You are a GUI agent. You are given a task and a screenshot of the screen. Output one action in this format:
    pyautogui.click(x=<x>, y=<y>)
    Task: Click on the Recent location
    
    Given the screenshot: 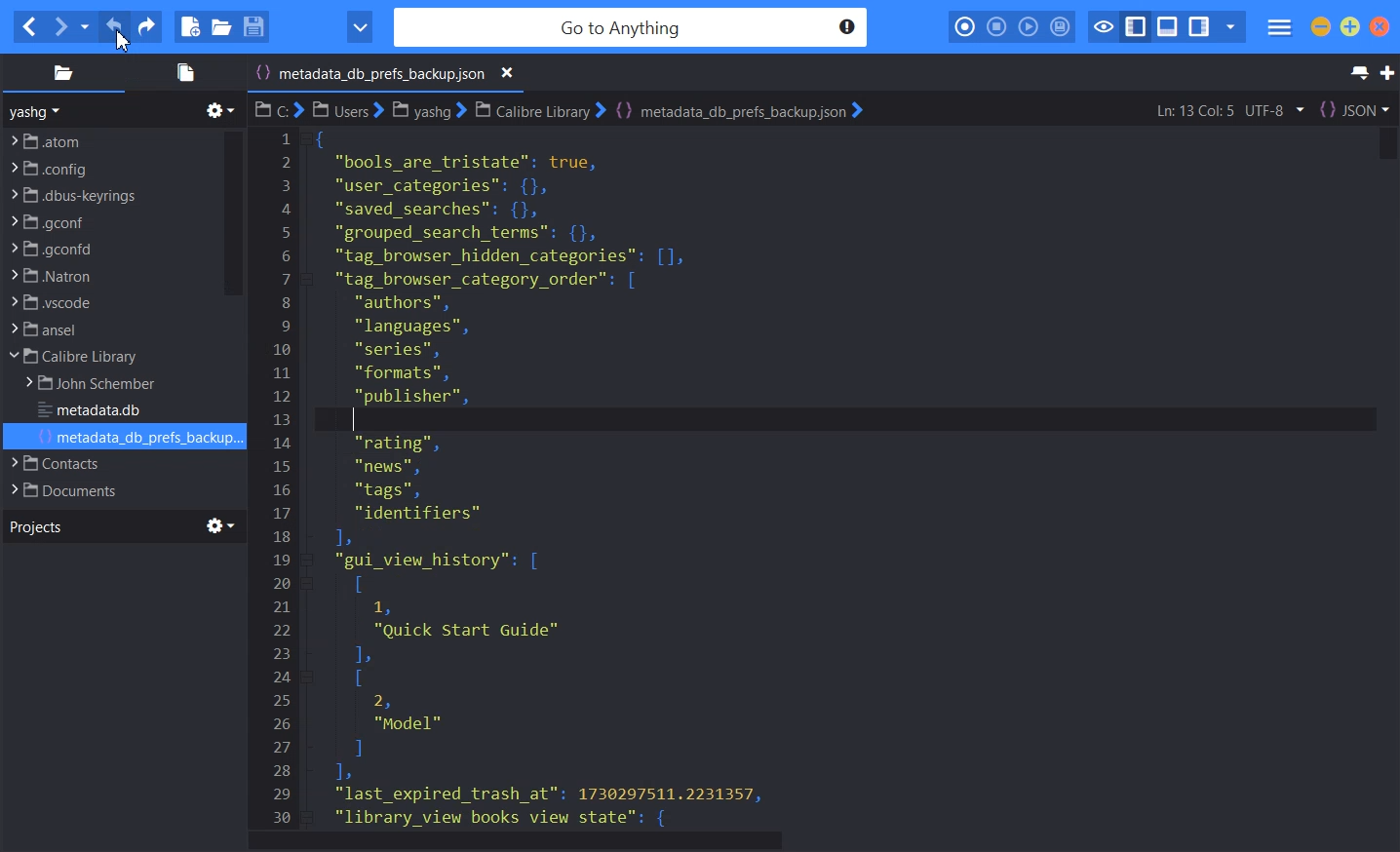 What is the action you would take?
    pyautogui.click(x=85, y=27)
    